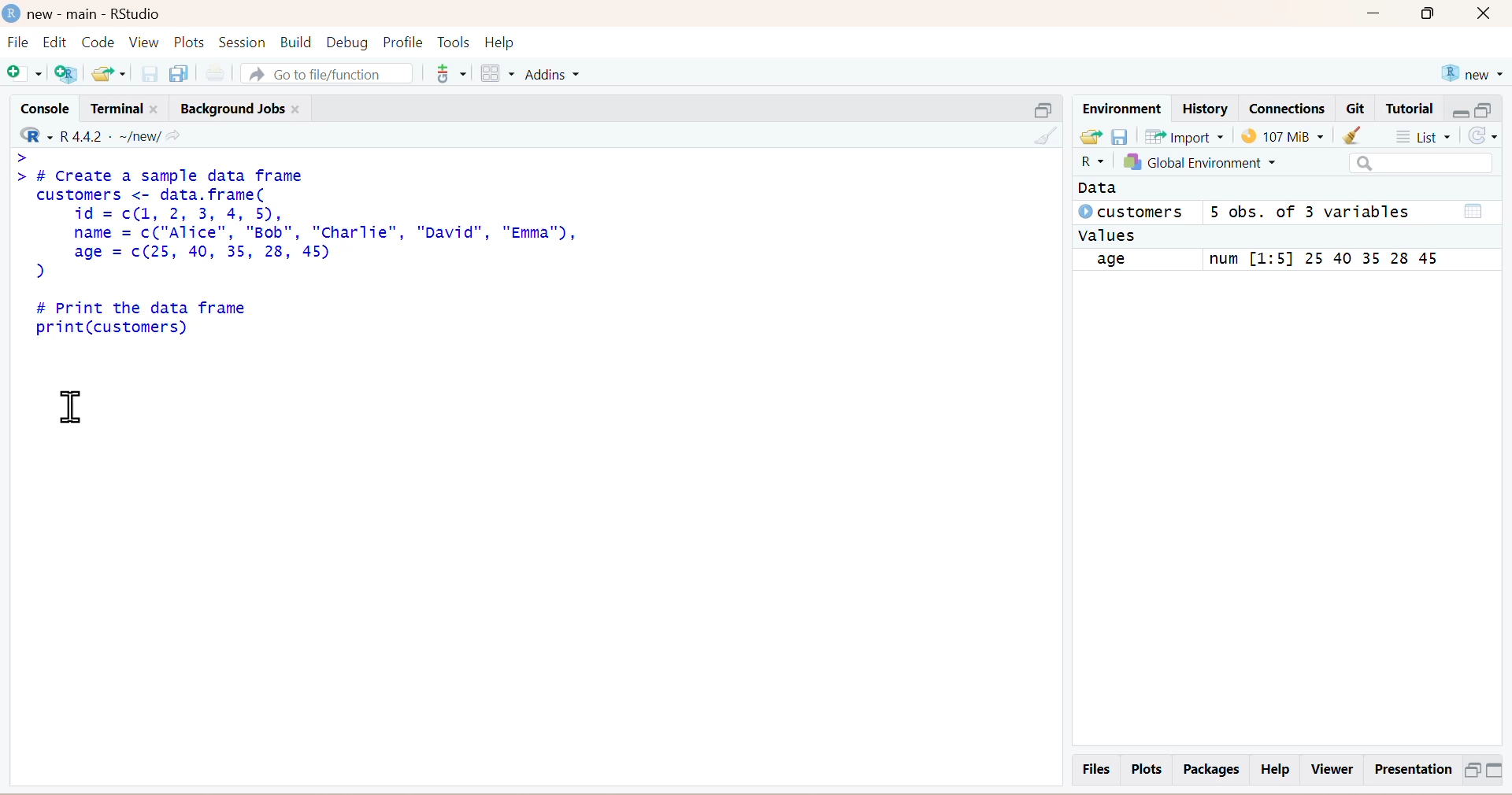 Image resolution: width=1512 pixels, height=795 pixels. I want to click on Presentation, so click(1410, 770).